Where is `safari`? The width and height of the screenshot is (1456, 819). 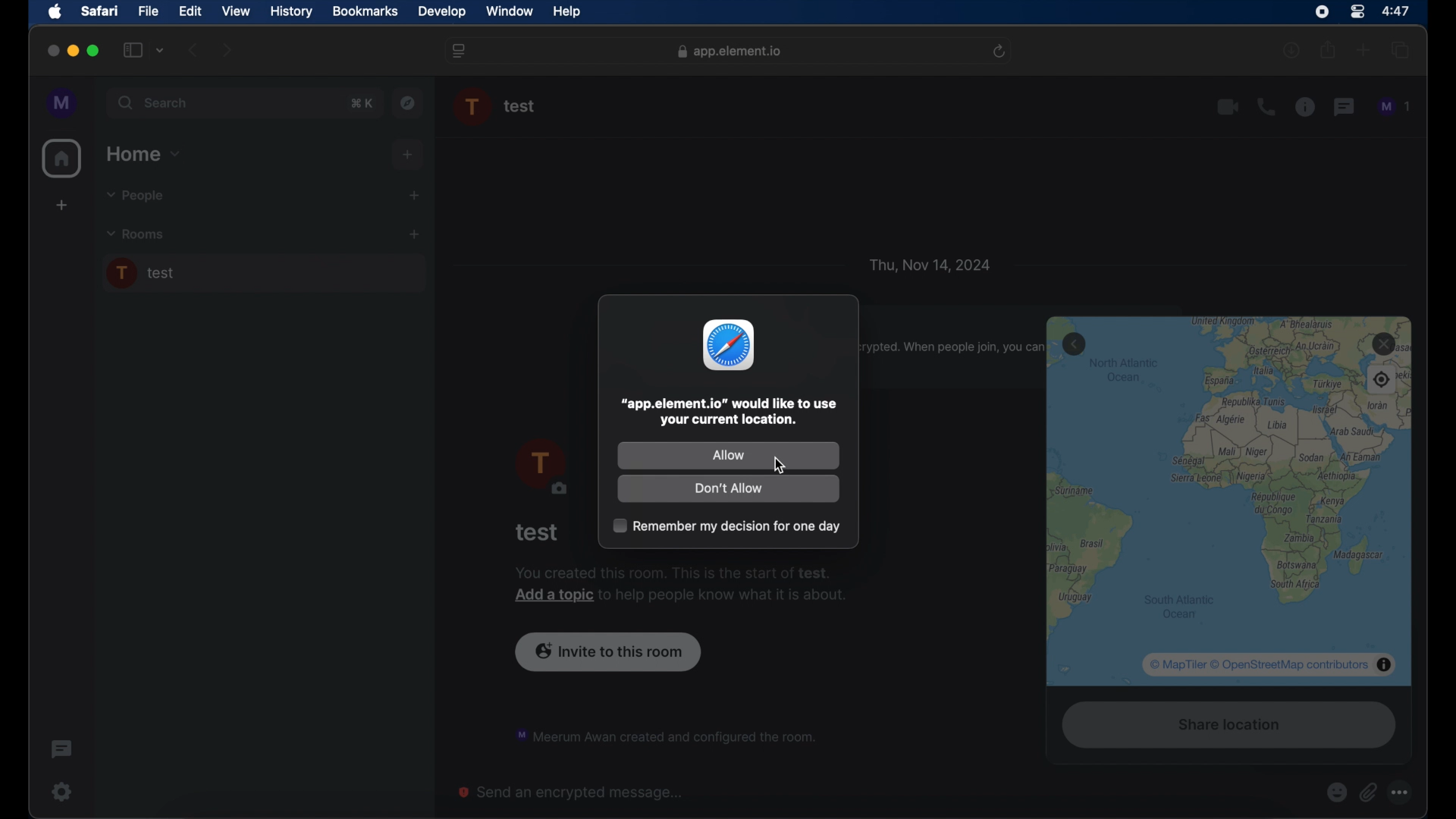
safari is located at coordinates (729, 345).